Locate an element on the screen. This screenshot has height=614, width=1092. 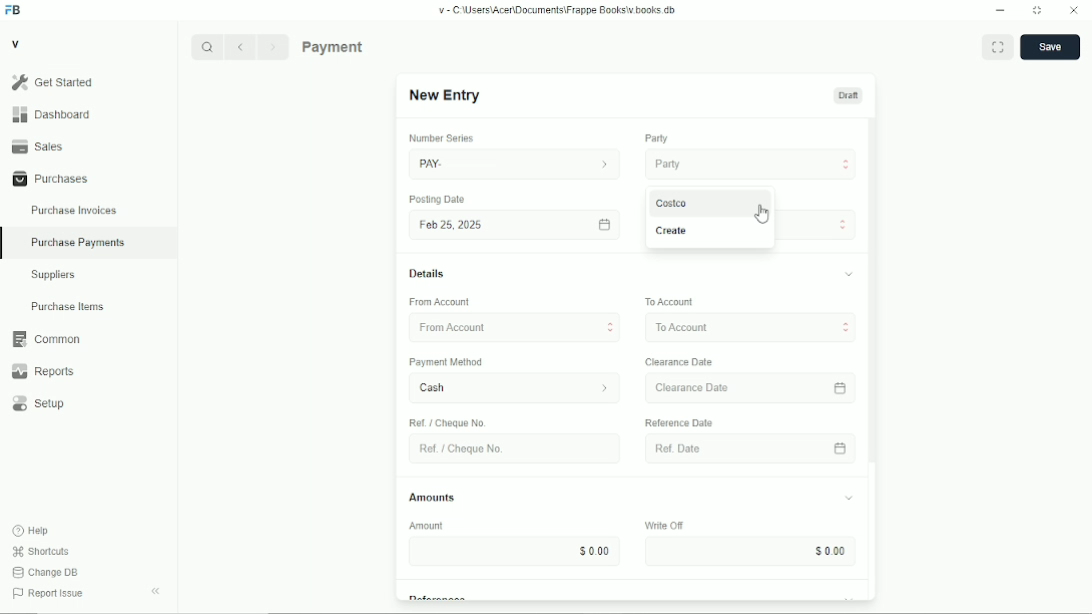
v= C Wsers\Acen\Documents\Frappe Books\v books db is located at coordinates (558, 10).